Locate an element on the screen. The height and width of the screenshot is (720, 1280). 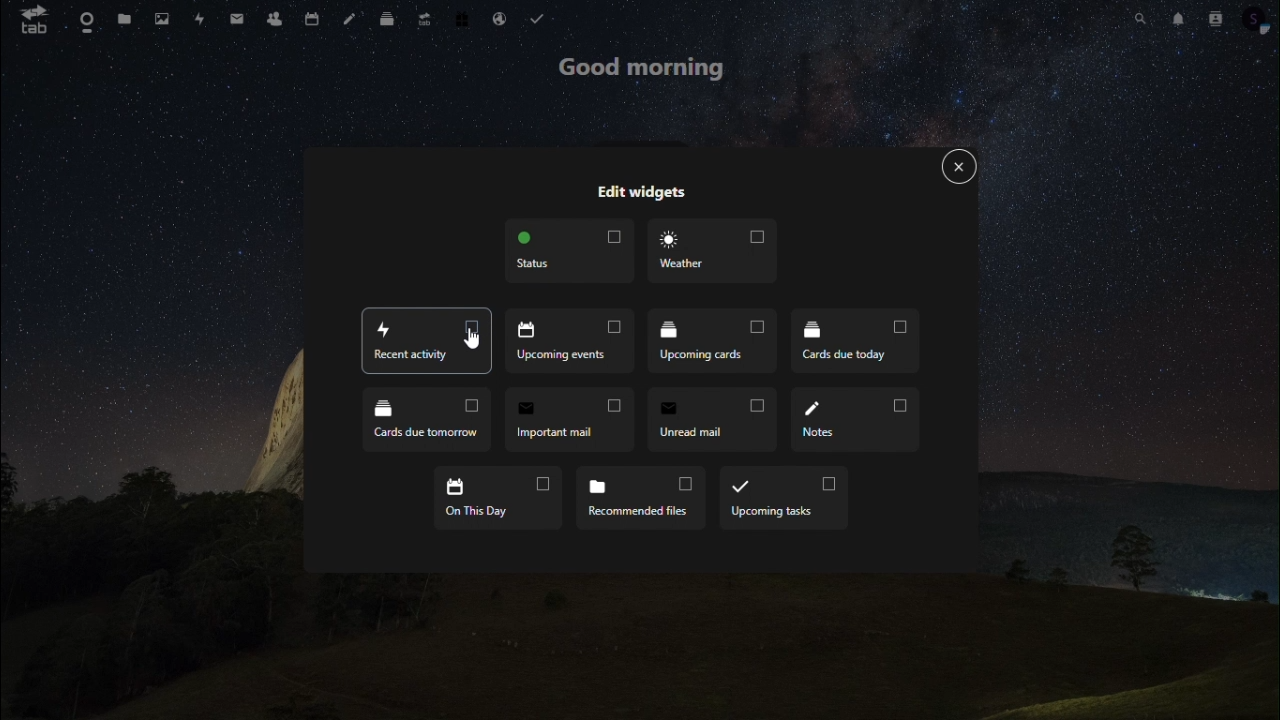
weather is located at coordinates (716, 256).